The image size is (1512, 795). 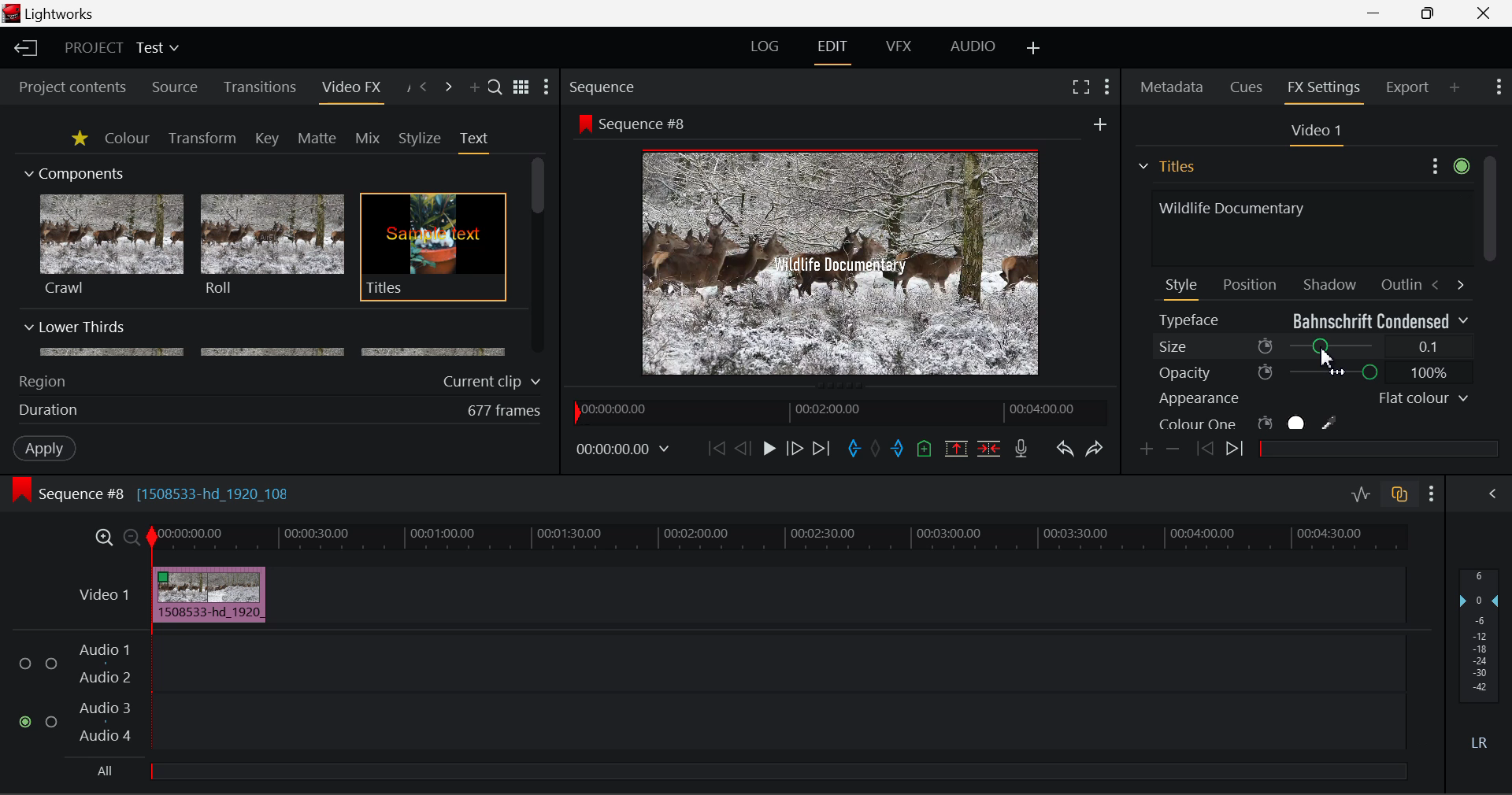 I want to click on Matte, so click(x=316, y=138).